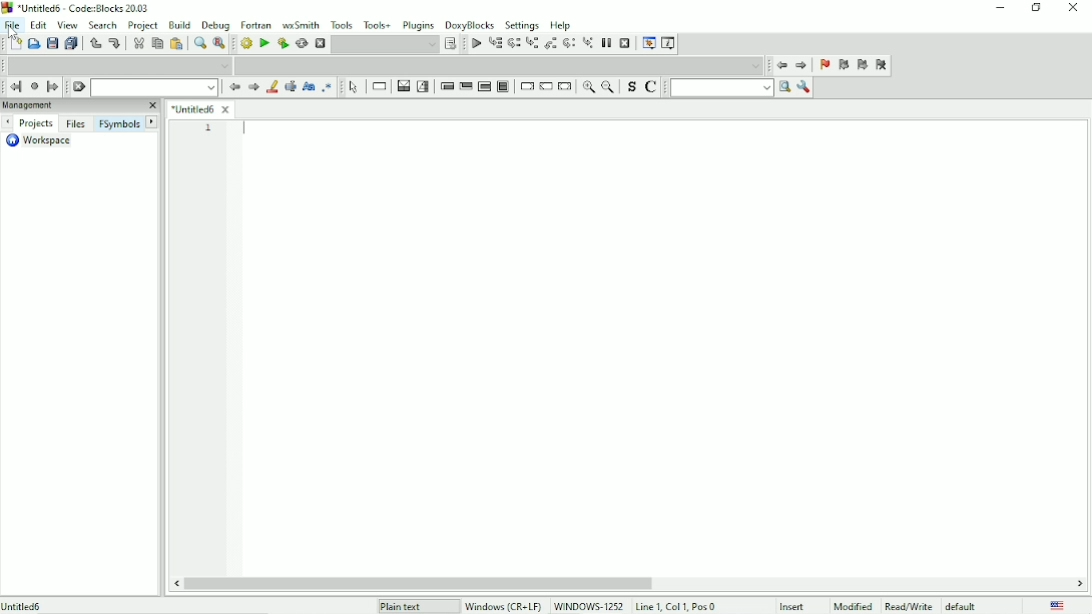 Image resolution: width=1092 pixels, height=614 pixels. Describe the element at coordinates (495, 44) in the screenshot. I see `Run to cursor` at that location.